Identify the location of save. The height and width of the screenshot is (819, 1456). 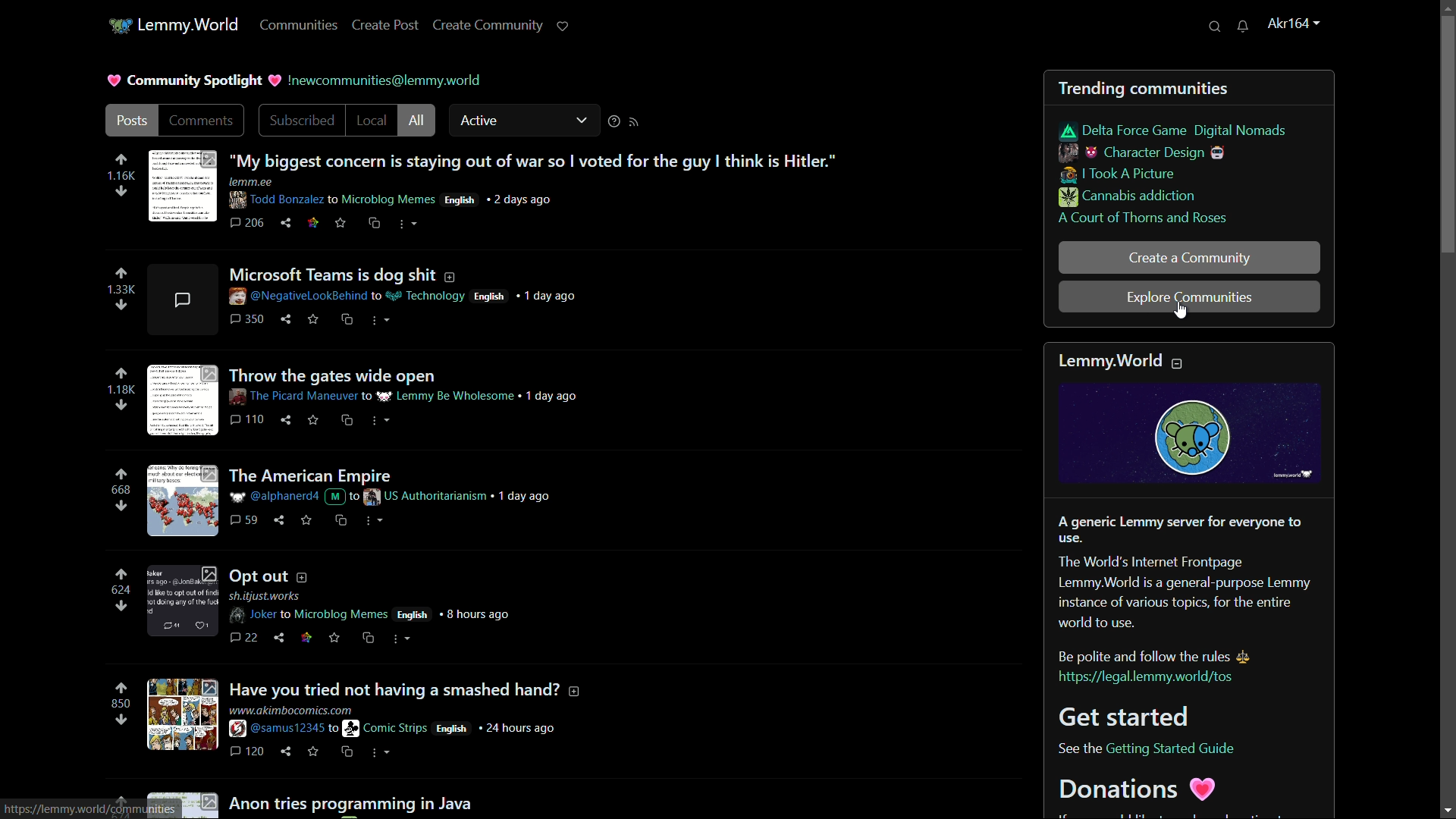
(314, 420).